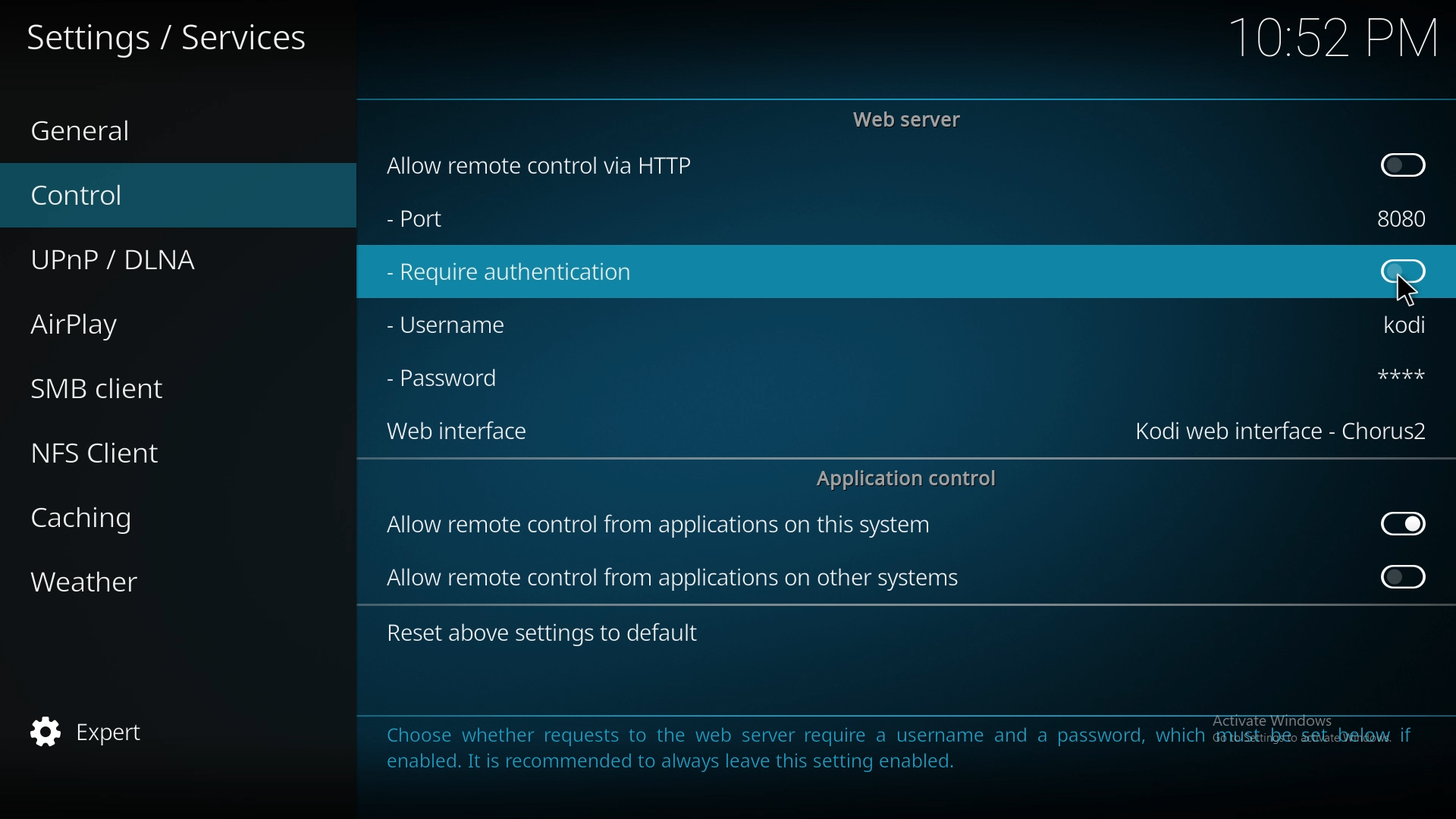 The width and height of the screenshot is (1456, 819). I want to click on username, so click(462, 324).